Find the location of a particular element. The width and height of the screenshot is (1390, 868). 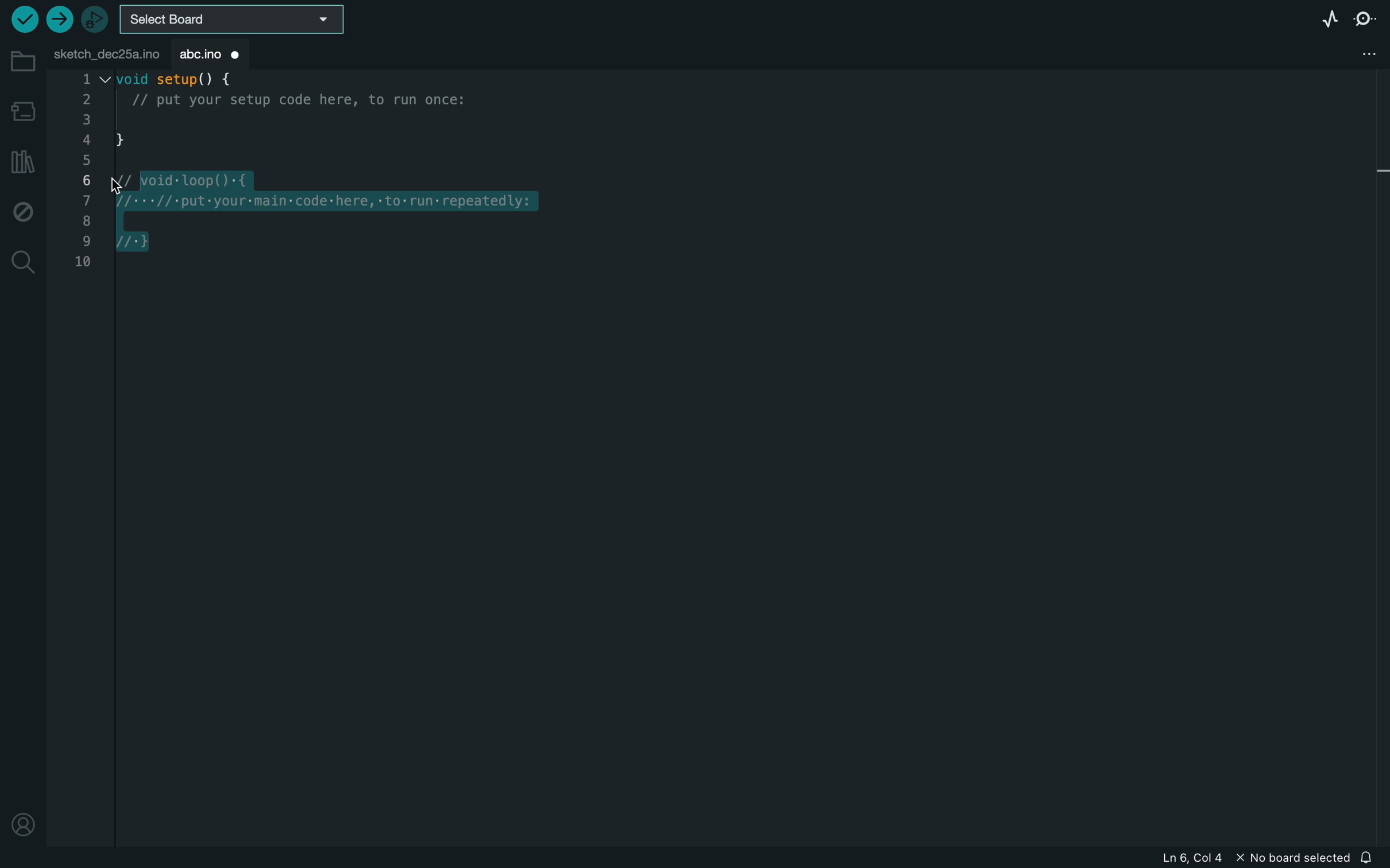

1,2,3,4,5,6,7,8,9,10 is located at coordinates (83, 177).